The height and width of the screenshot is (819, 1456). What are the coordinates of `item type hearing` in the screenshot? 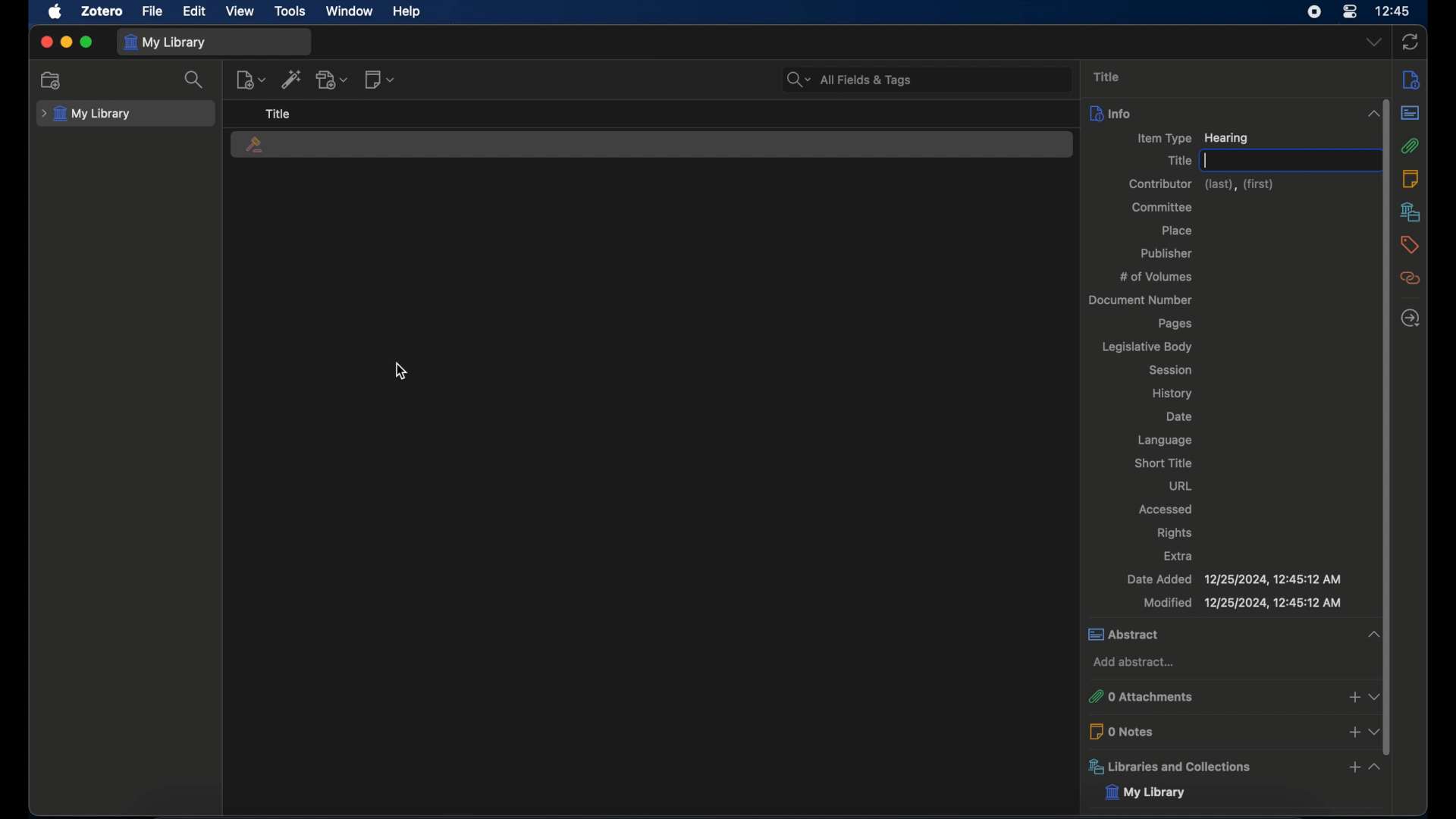 It's located at (1192, 139).